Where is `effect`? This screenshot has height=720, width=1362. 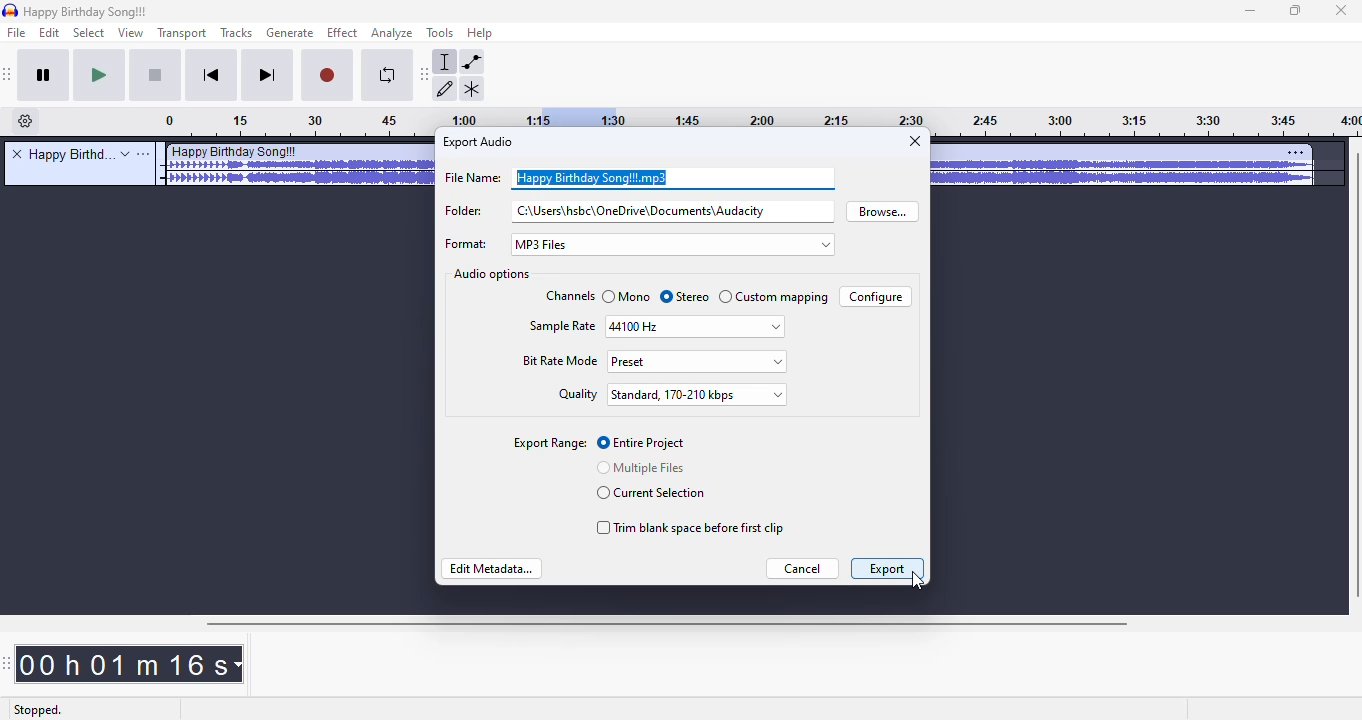
effect is located at coordinates (342, 33).